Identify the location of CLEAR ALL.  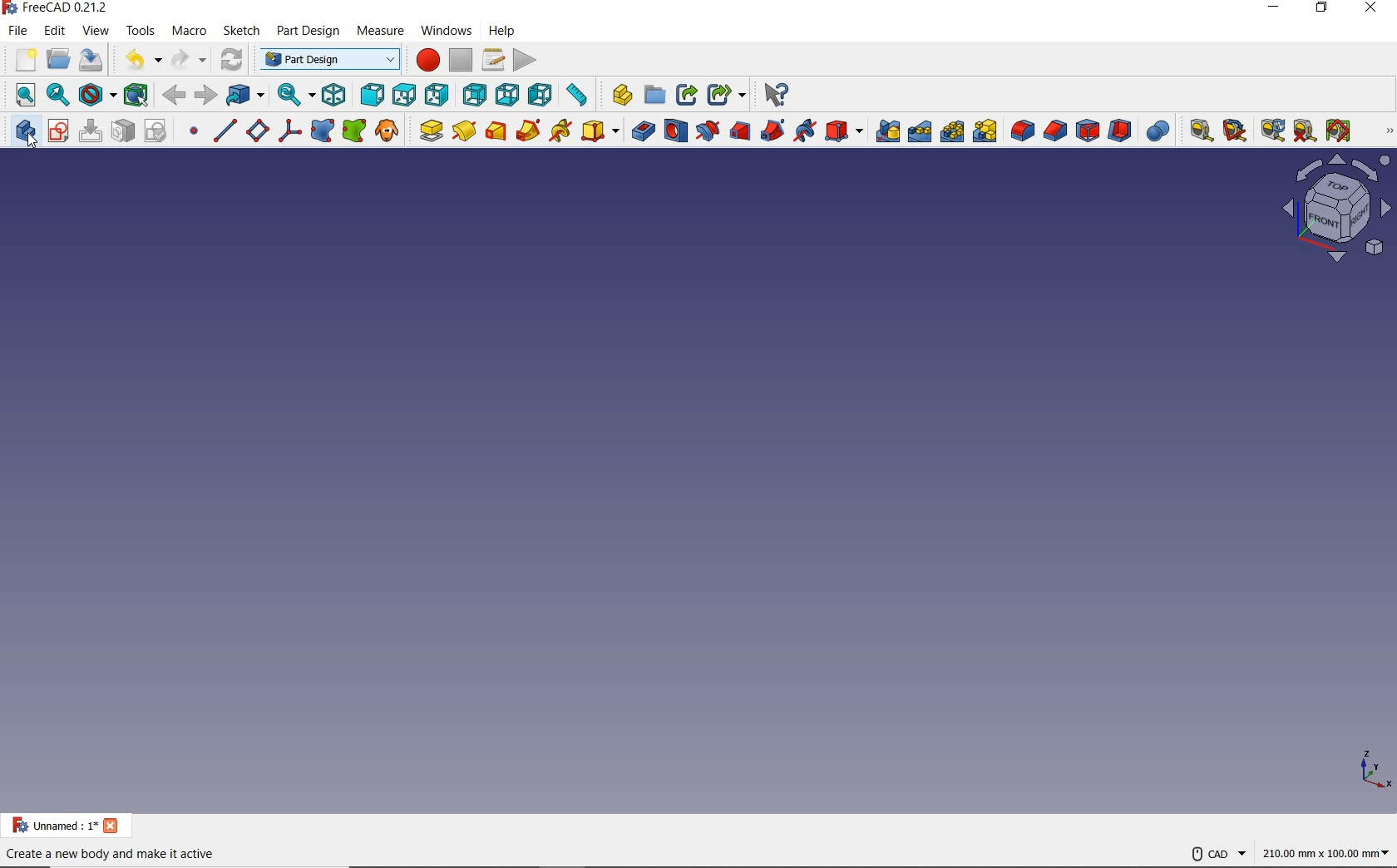
(1236, 131).